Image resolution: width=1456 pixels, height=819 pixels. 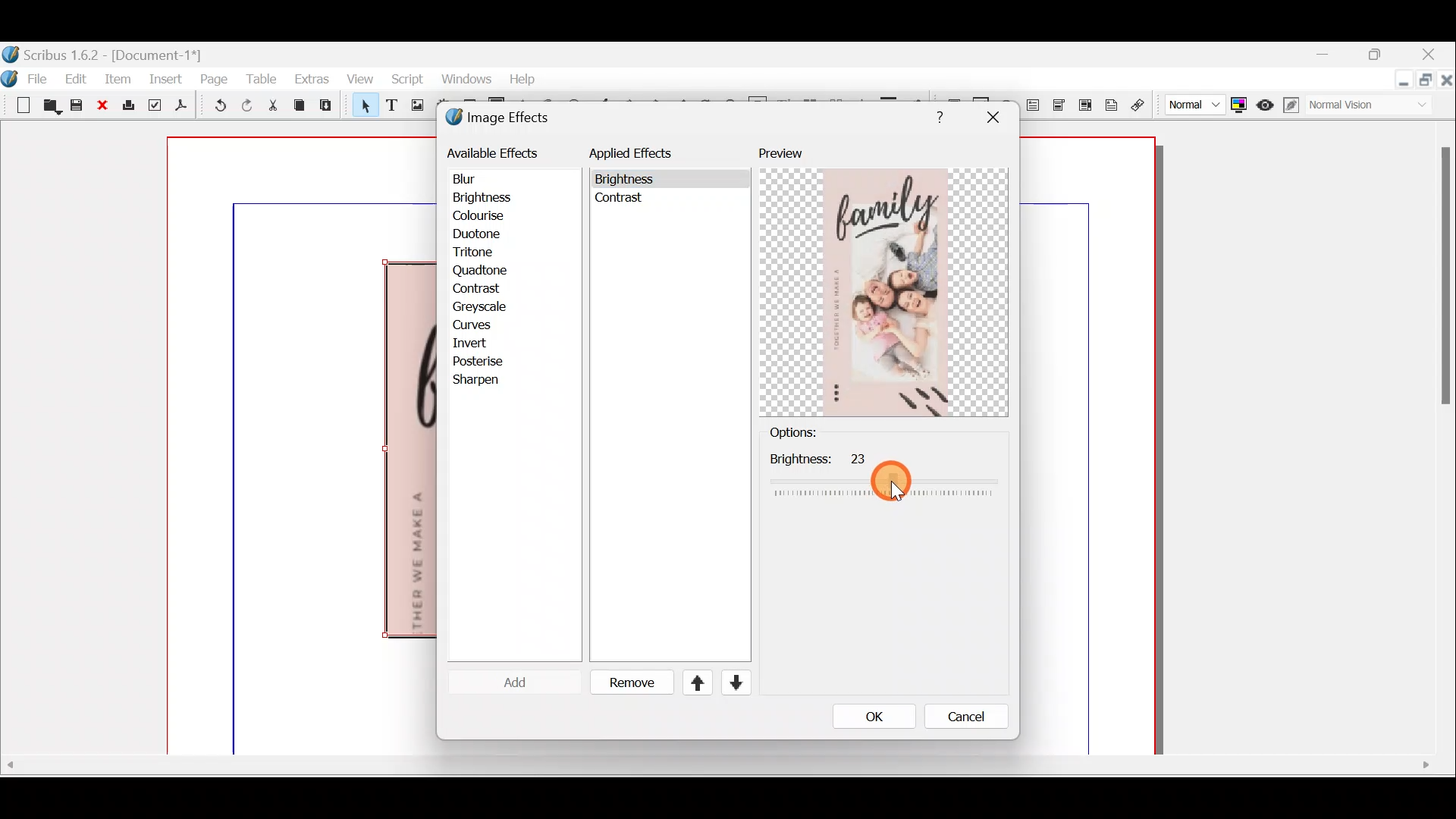 What do you see at coordinates (628, 180) in the screenshot?
I see `brightness` at bounding box center [628, 180].